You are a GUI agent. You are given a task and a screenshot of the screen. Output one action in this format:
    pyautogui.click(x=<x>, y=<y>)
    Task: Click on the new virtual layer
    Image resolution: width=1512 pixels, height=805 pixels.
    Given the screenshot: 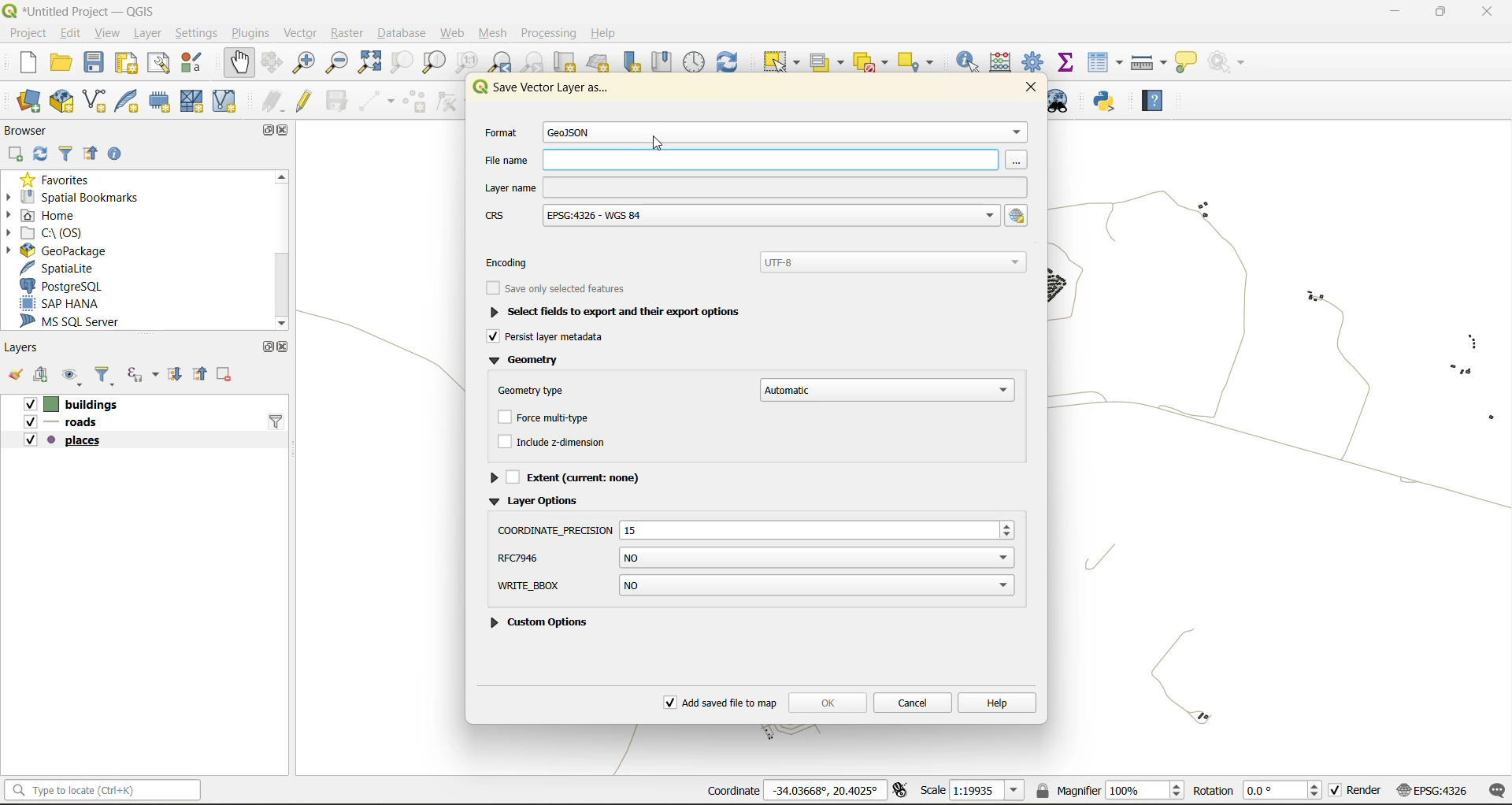 What is the action you would take?
    pyautogui.click(x=228, y=102)
    